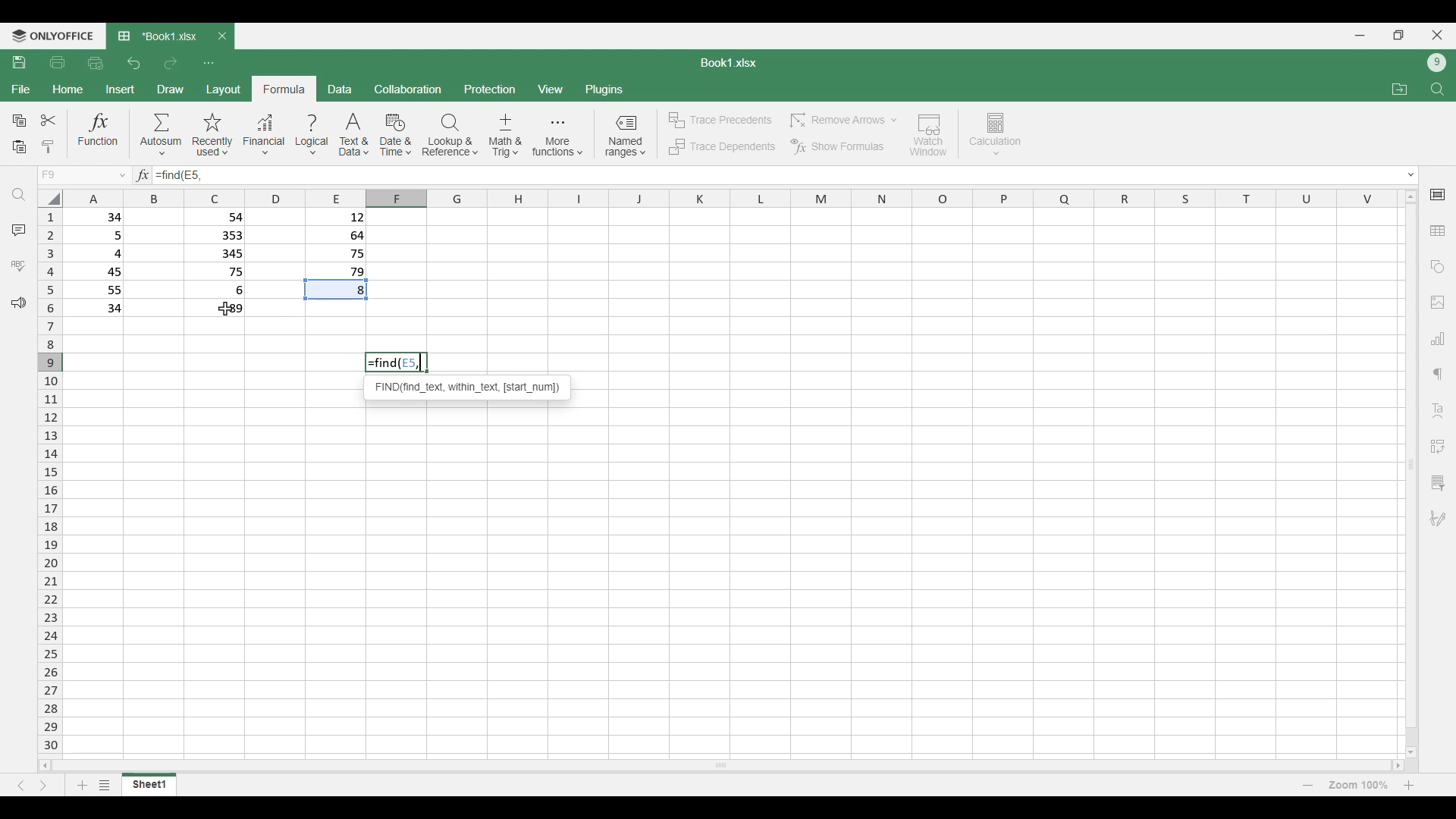 This screenshot has width=1456, height=819. What do you see at coordinates (224, 89) in the screenshot?
I see `Layout menu` at bounding box center [224, 89].